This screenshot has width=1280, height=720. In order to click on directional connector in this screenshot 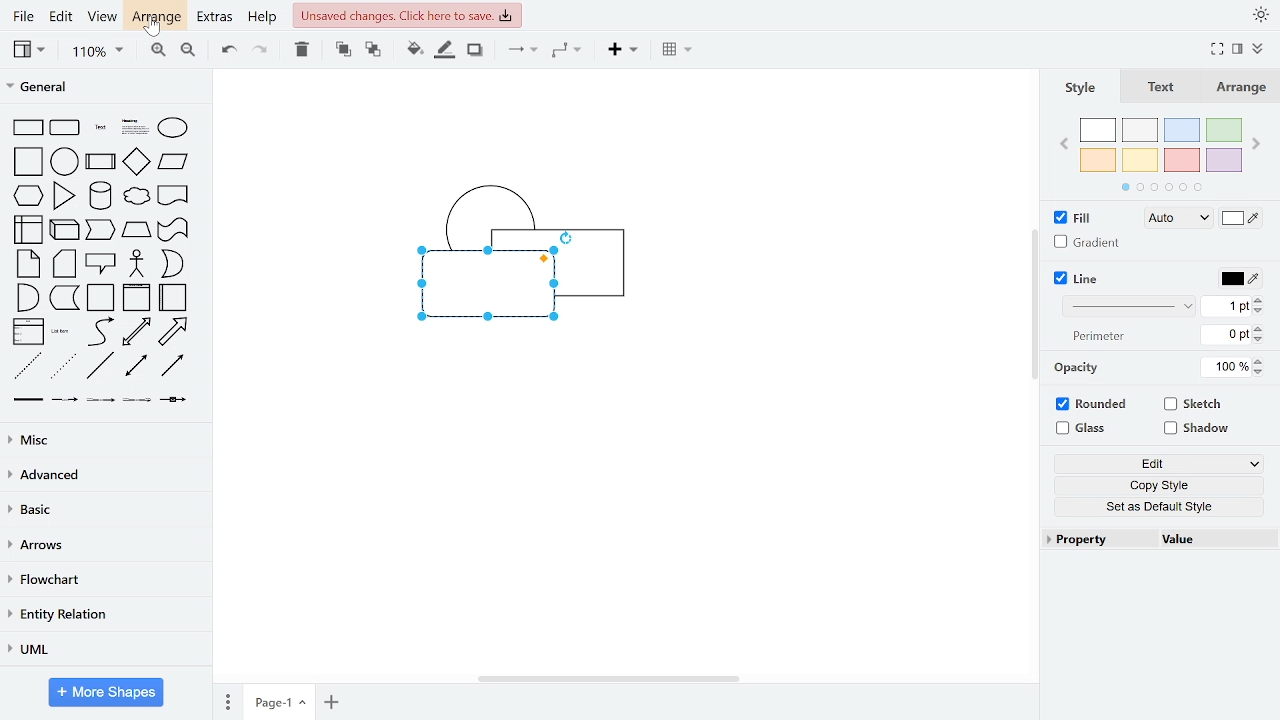, I will do `click(172, 368)`.